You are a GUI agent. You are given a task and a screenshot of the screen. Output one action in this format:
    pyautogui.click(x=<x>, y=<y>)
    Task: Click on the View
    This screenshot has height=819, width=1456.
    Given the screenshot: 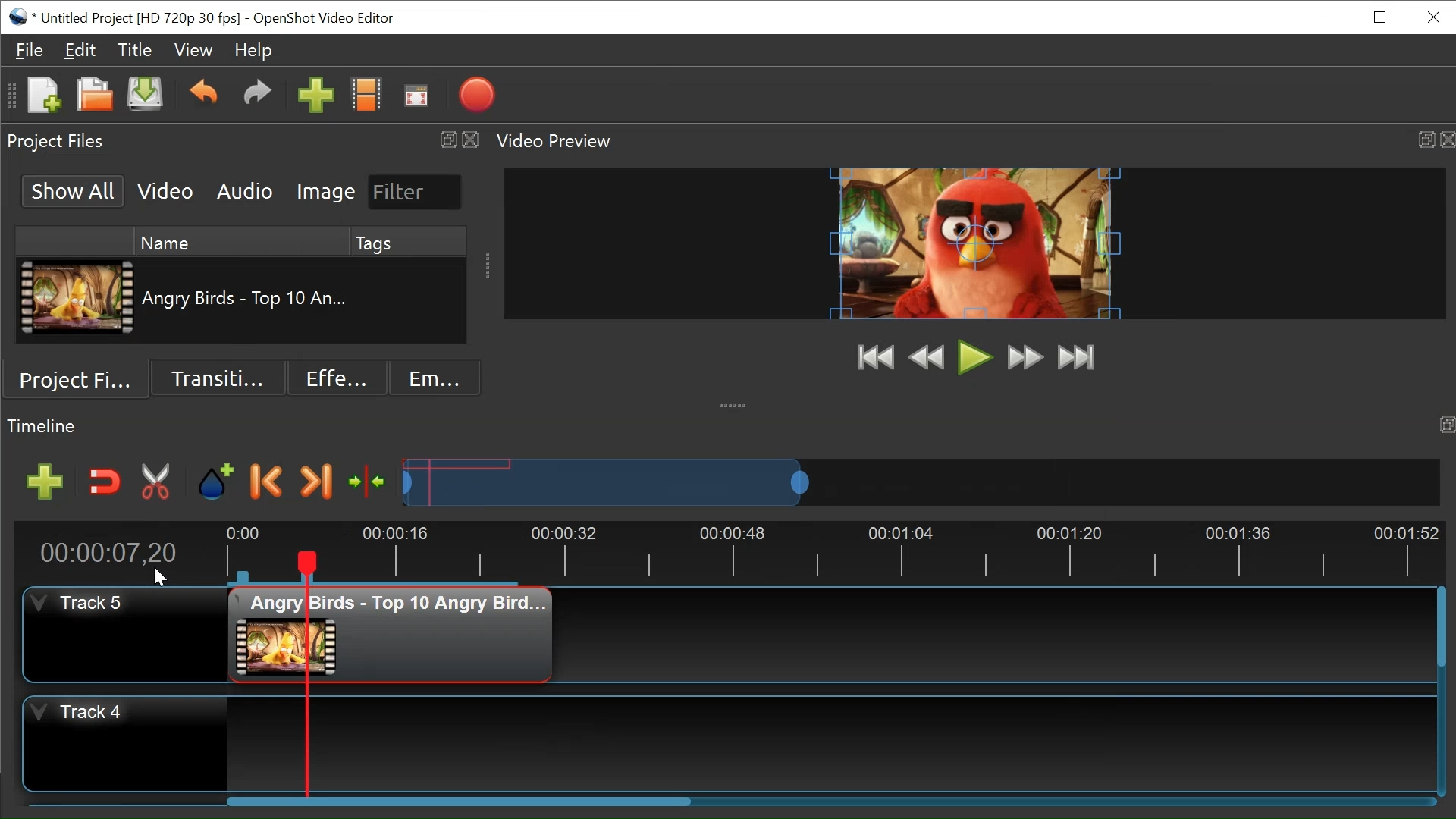 What is the action you would take?
    pyautogui.click(x=193, y=50)
    